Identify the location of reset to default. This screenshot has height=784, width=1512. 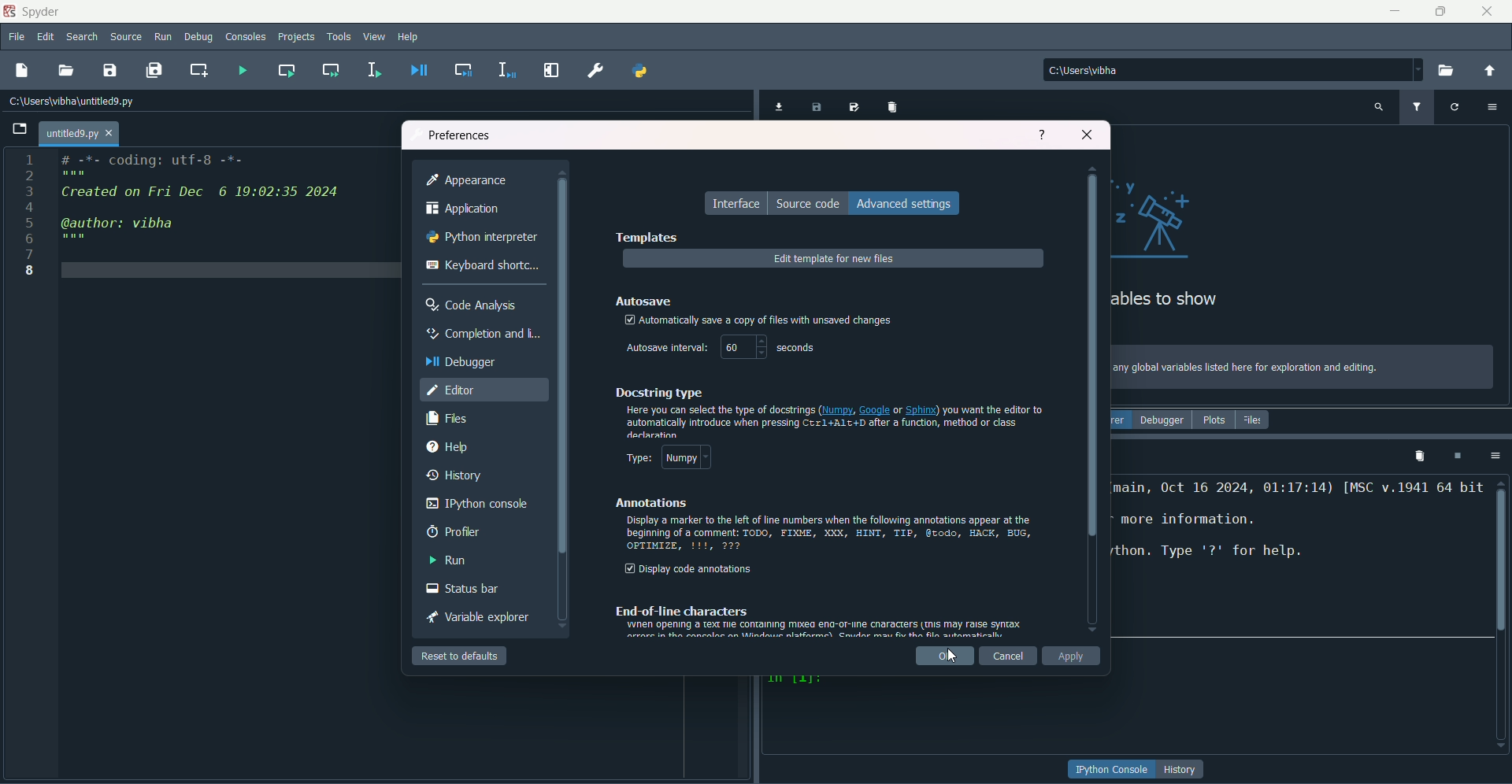
(460, 655).